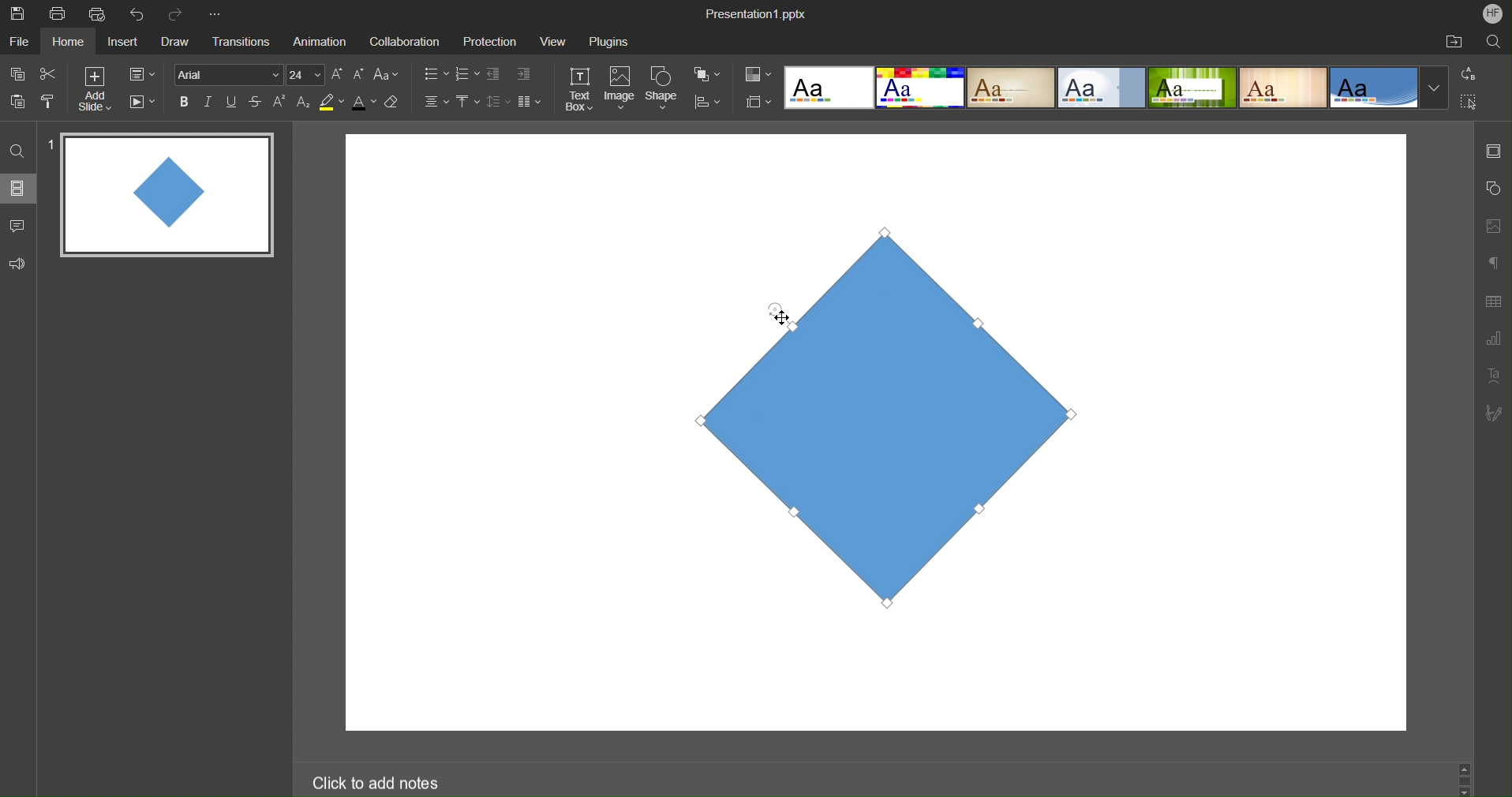 This screenshot has height=797, width=1512. What do you see at coordinates (394, 103) in the screenshot?
I see `Erase Style` at bounding box center [394, 103].